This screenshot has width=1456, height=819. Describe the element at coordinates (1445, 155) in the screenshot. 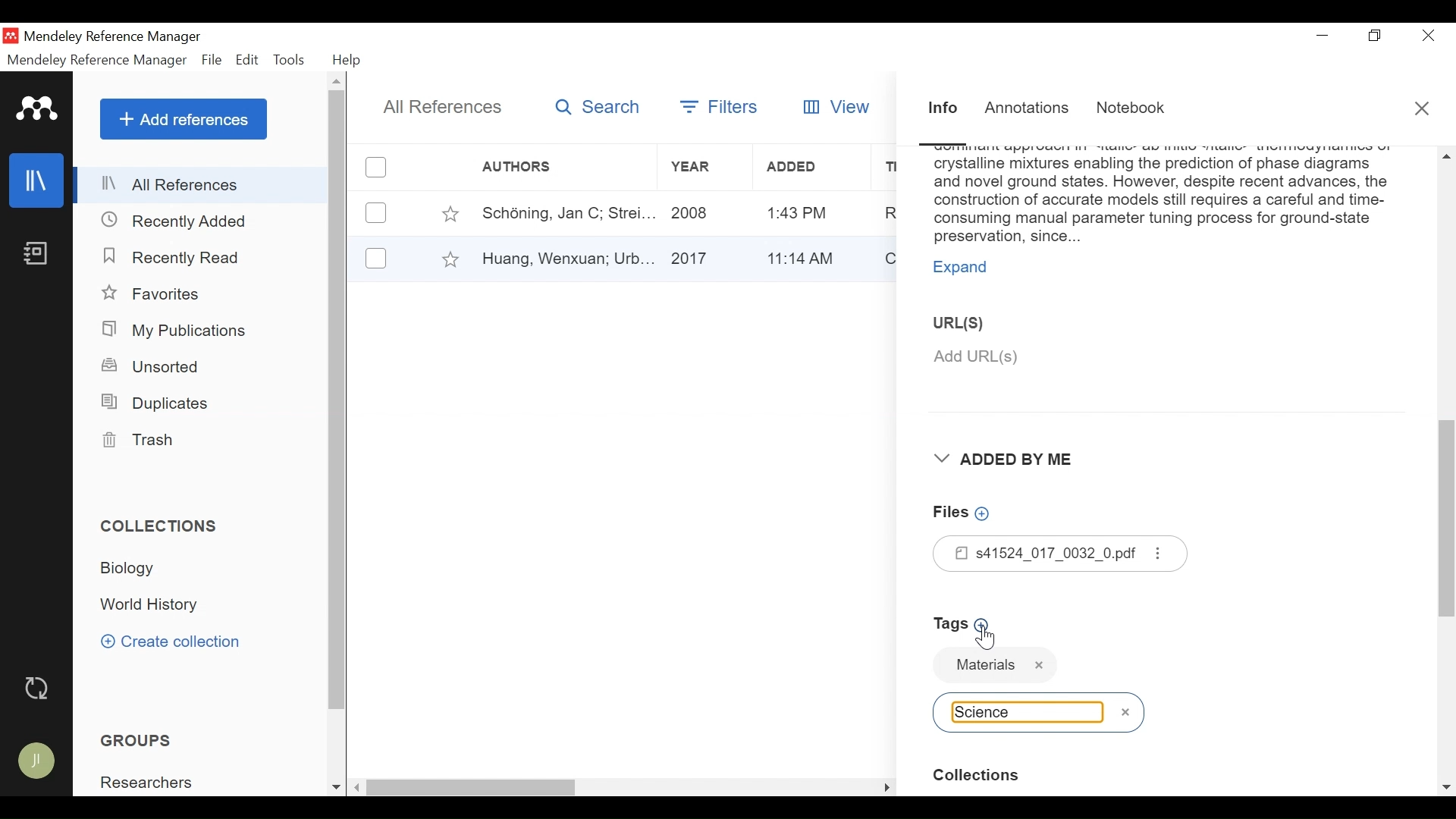

I see `Scroll up` at that location.